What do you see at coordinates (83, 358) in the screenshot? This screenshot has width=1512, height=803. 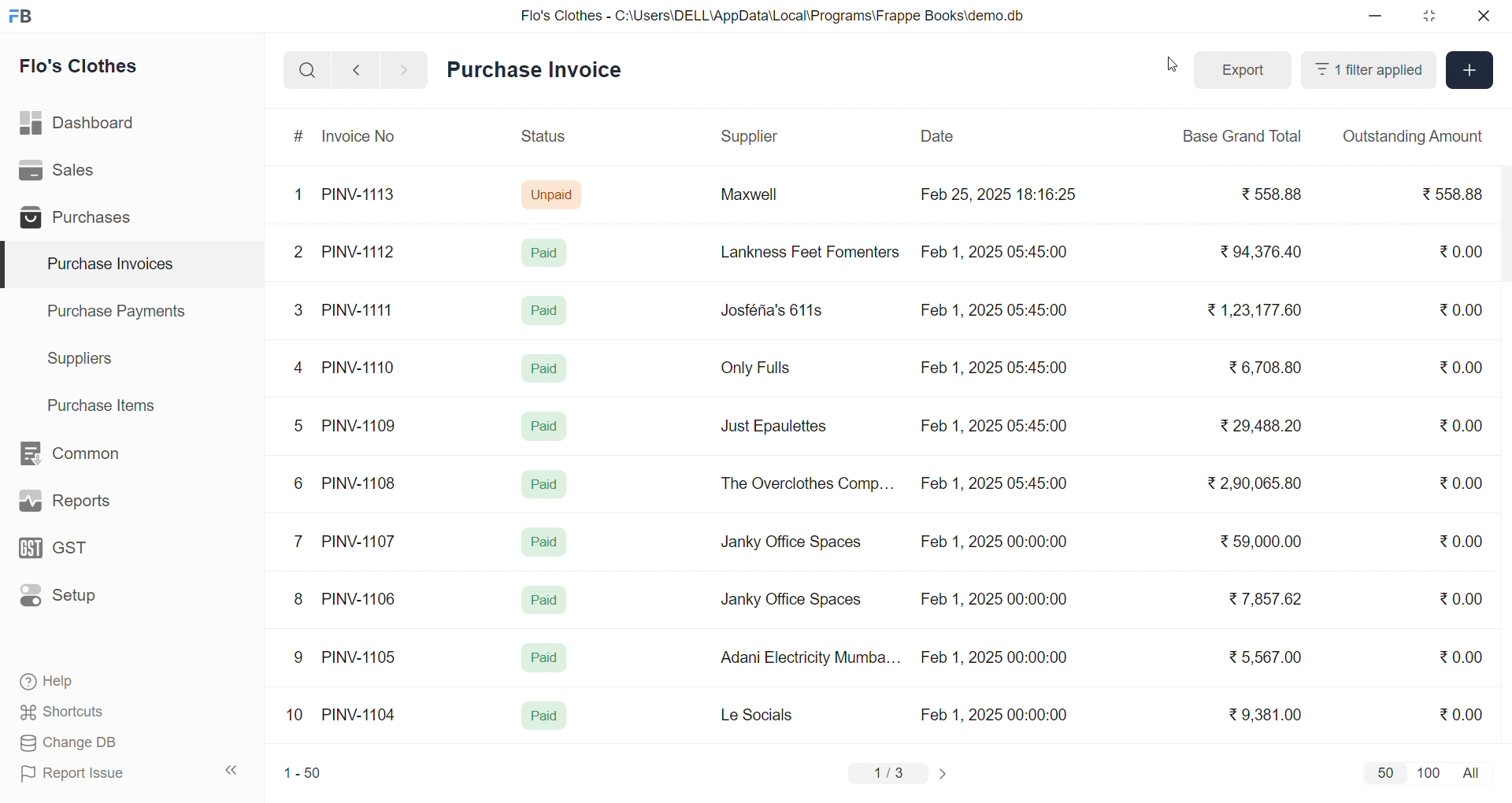 I see `Suppliers` at bounding box center [83, 358].